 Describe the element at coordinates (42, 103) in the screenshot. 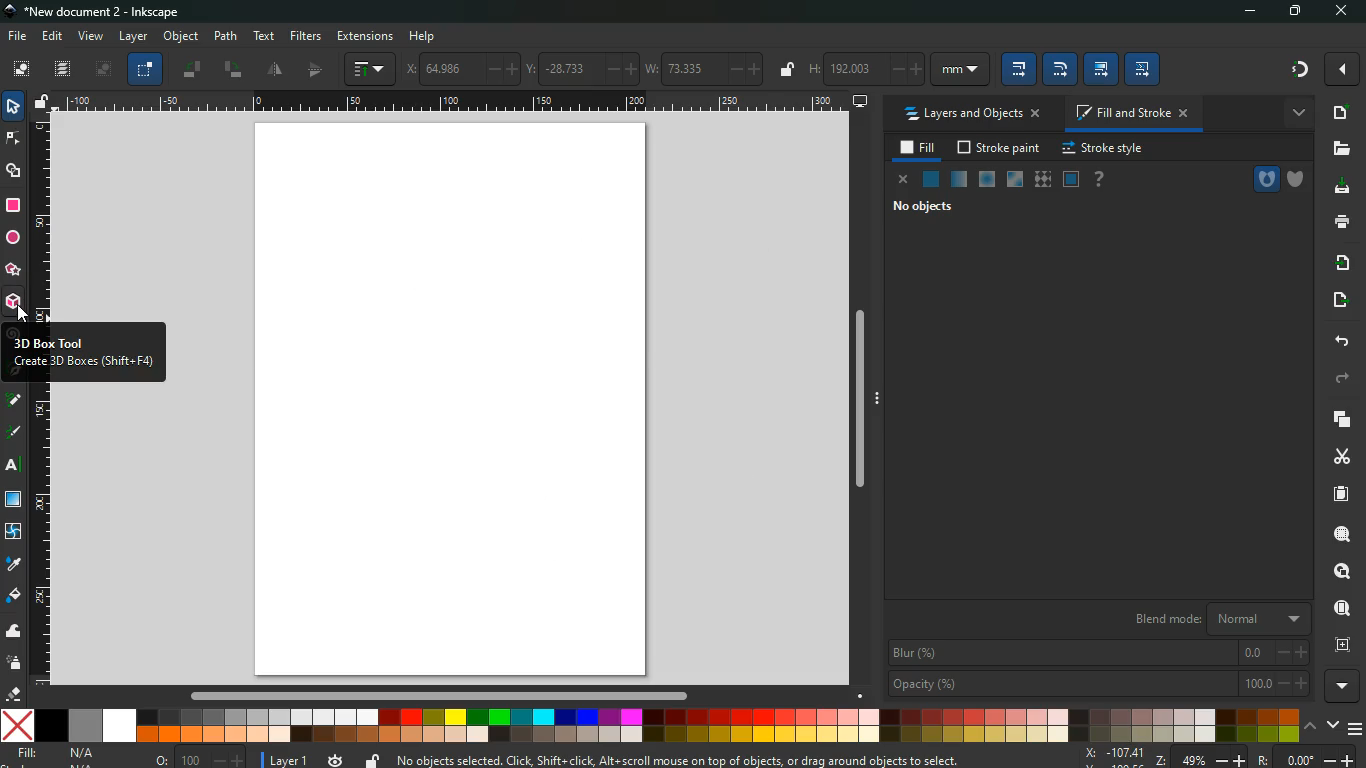

I see `unlock` at that location.